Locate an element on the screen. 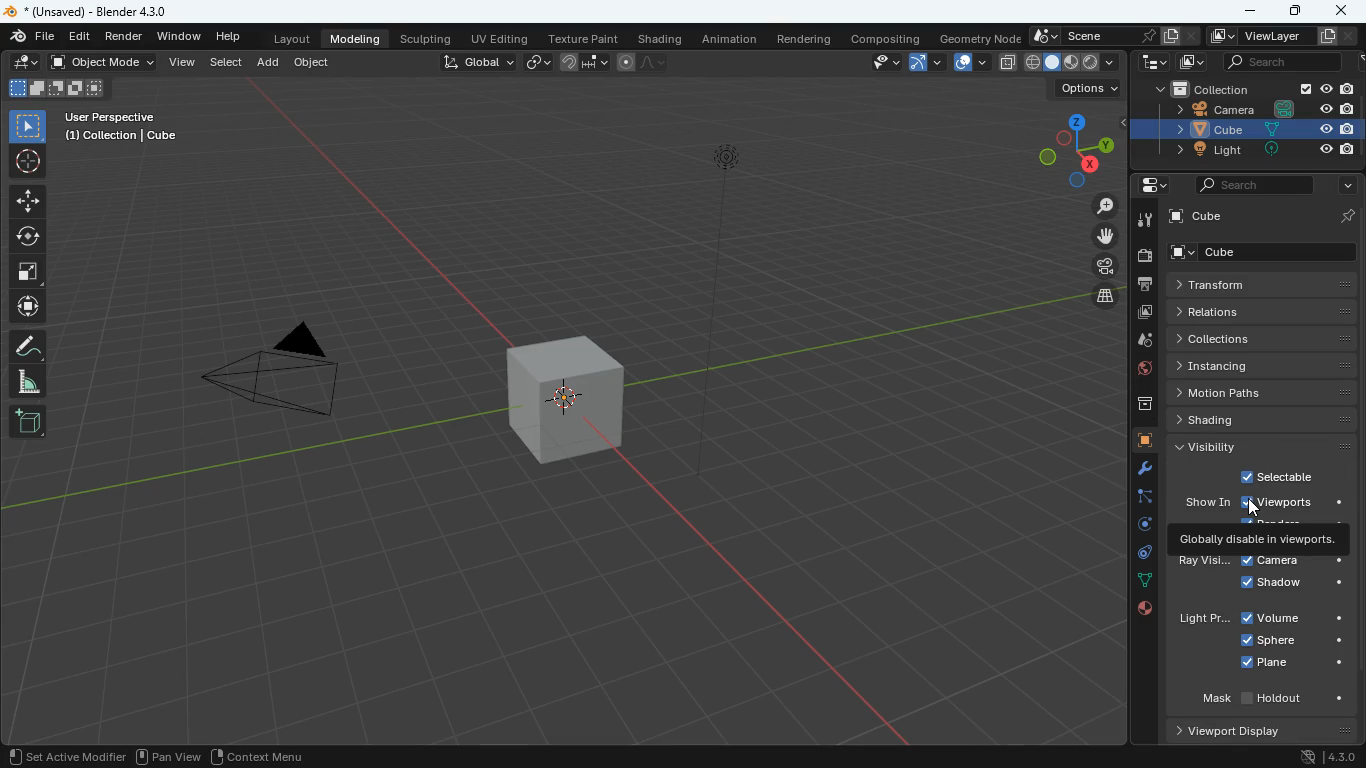  move is located at coordinates (1095, 238).